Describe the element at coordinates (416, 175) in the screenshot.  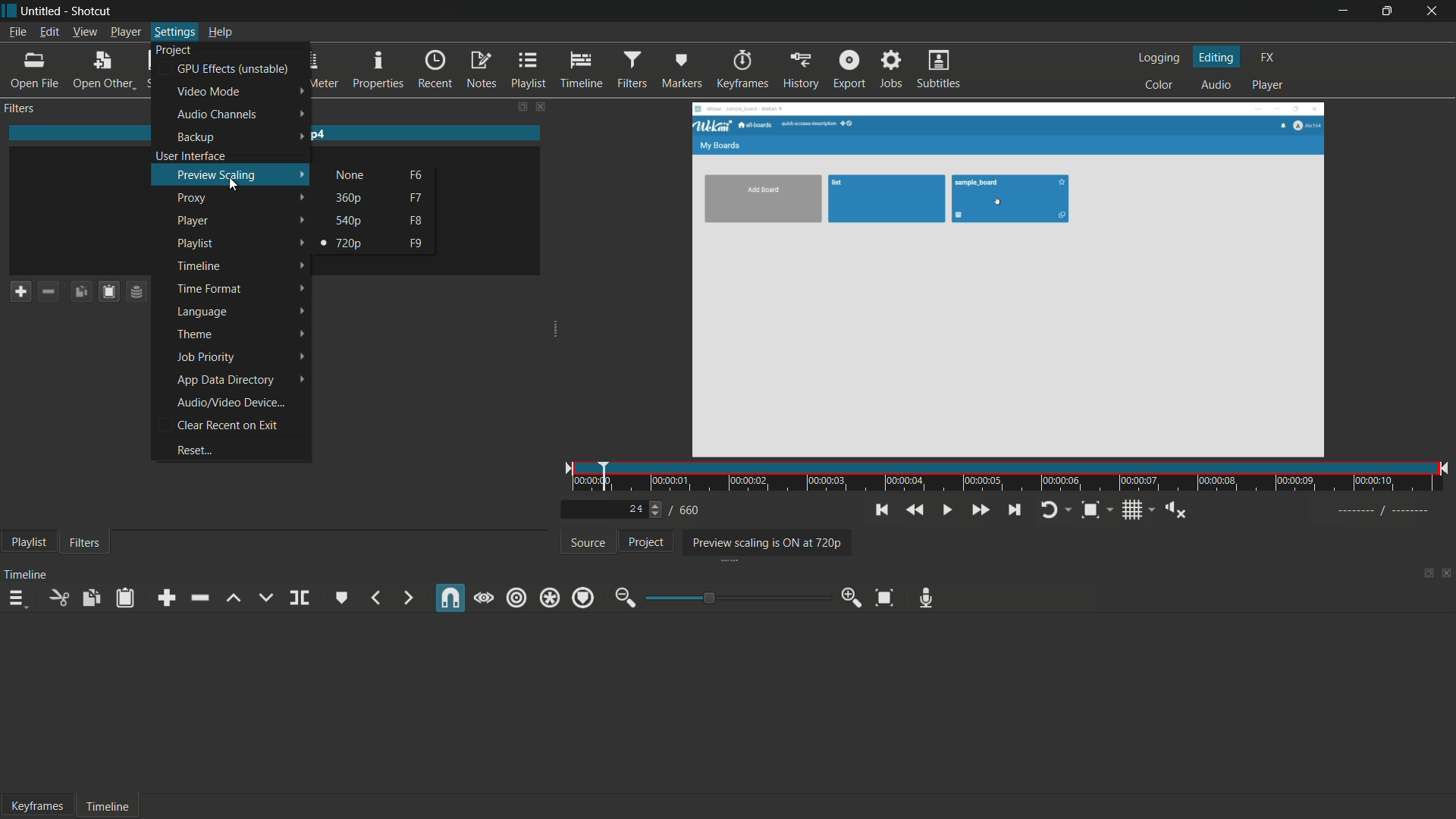
I see `keyboard shortcut` at that location.